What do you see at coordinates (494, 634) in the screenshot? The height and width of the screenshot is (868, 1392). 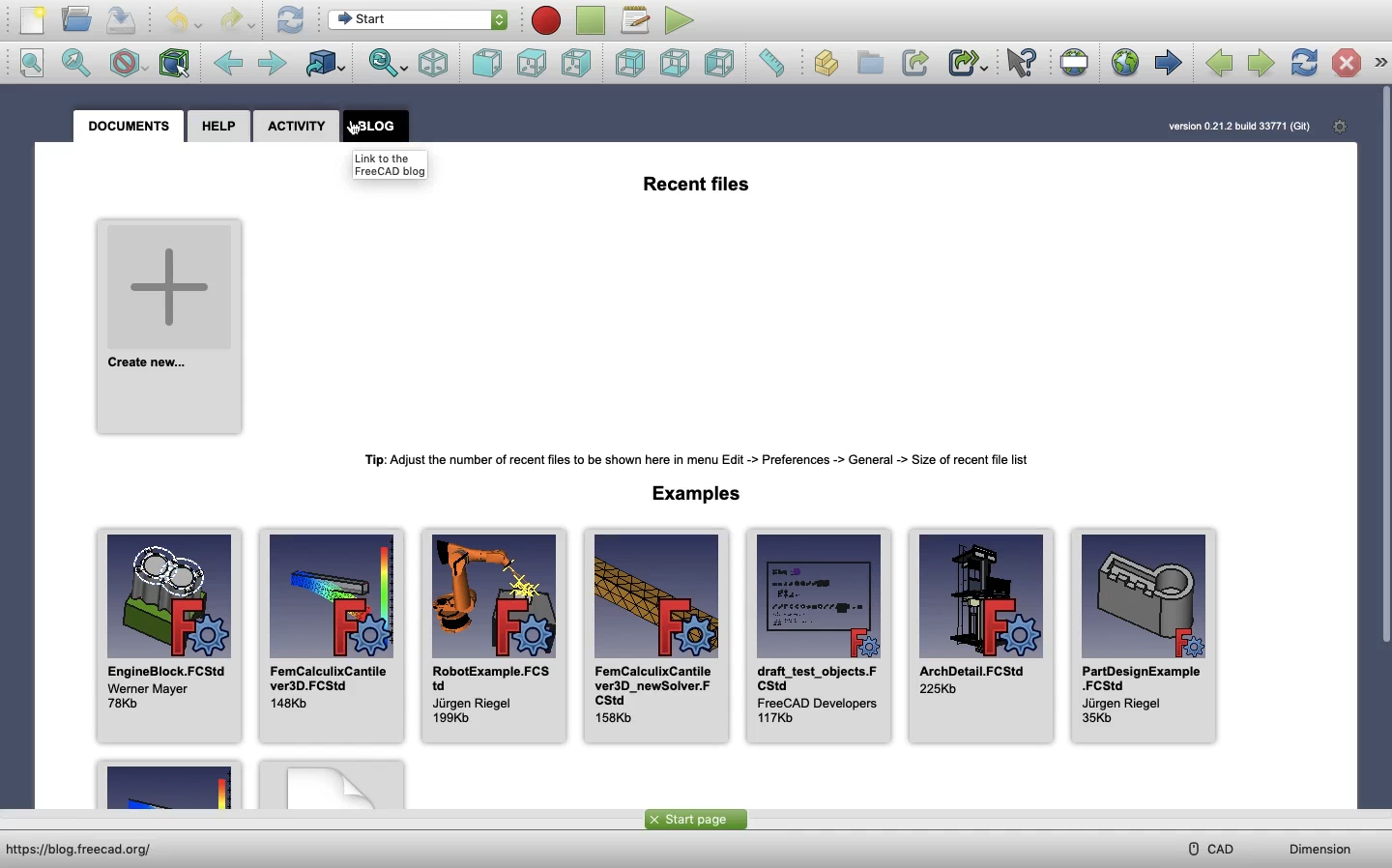 I see `RobotExample` at bounding box center [494, 634].